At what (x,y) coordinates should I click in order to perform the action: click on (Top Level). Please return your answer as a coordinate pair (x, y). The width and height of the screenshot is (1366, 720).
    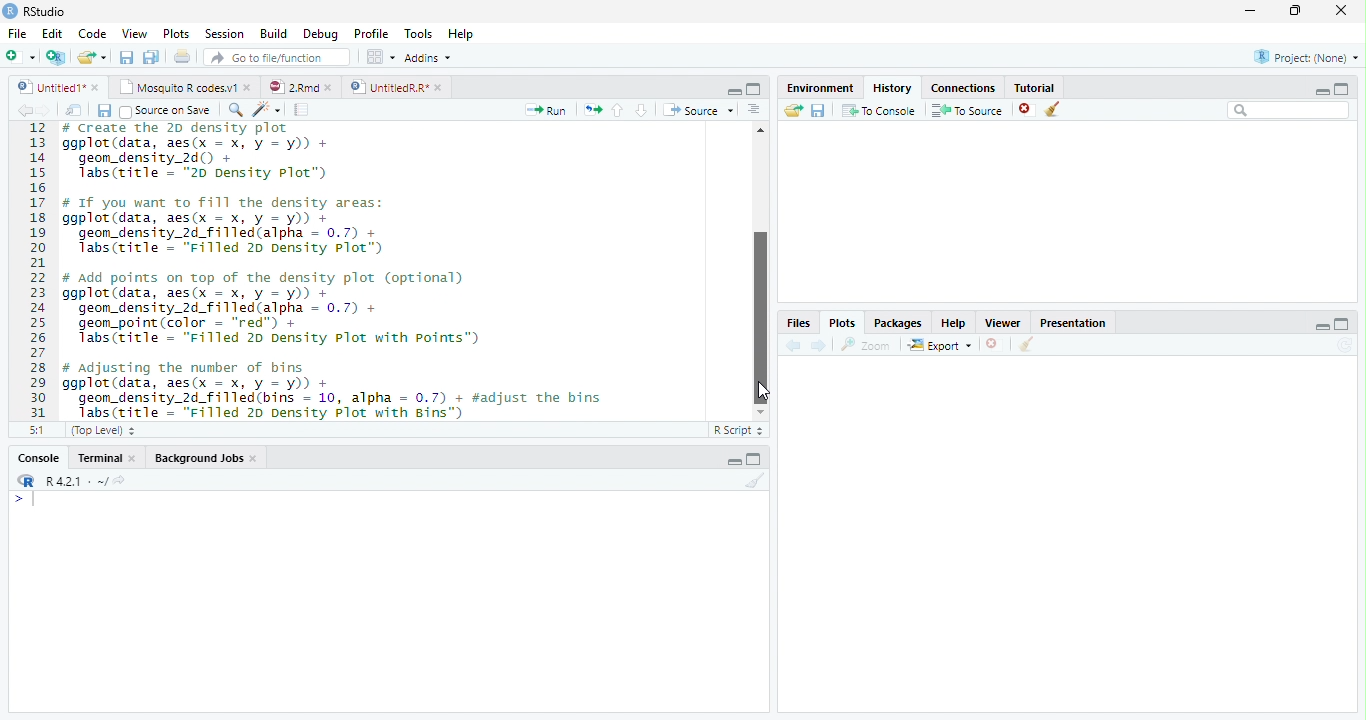
    Looking at the image, I should click on (101, 431).